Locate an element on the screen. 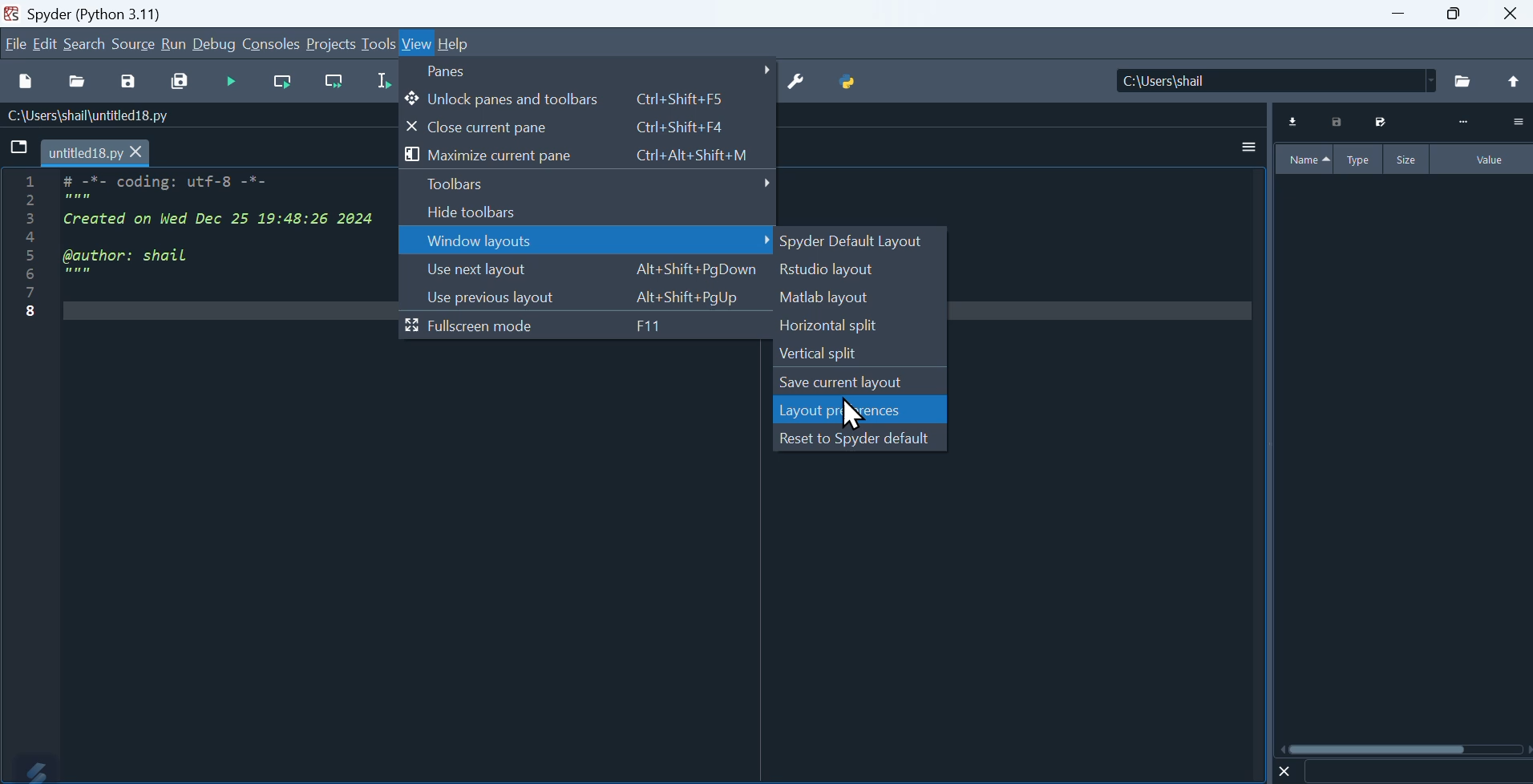 This screenshot has height=784, width=1533. Search is located at coordinates (85, 44).